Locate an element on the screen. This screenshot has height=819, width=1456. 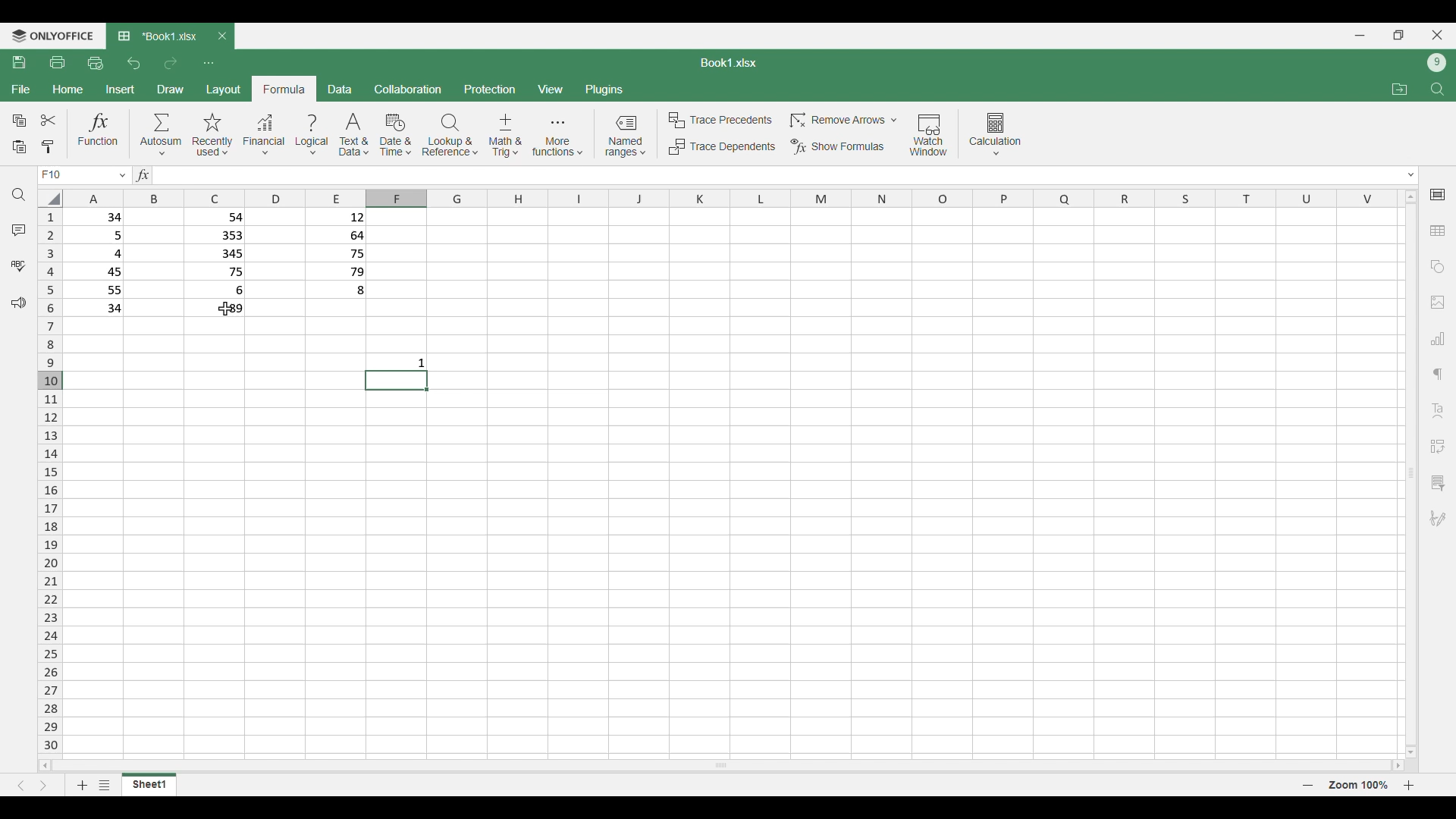
Slicer is located at coordinates (1437, 483).